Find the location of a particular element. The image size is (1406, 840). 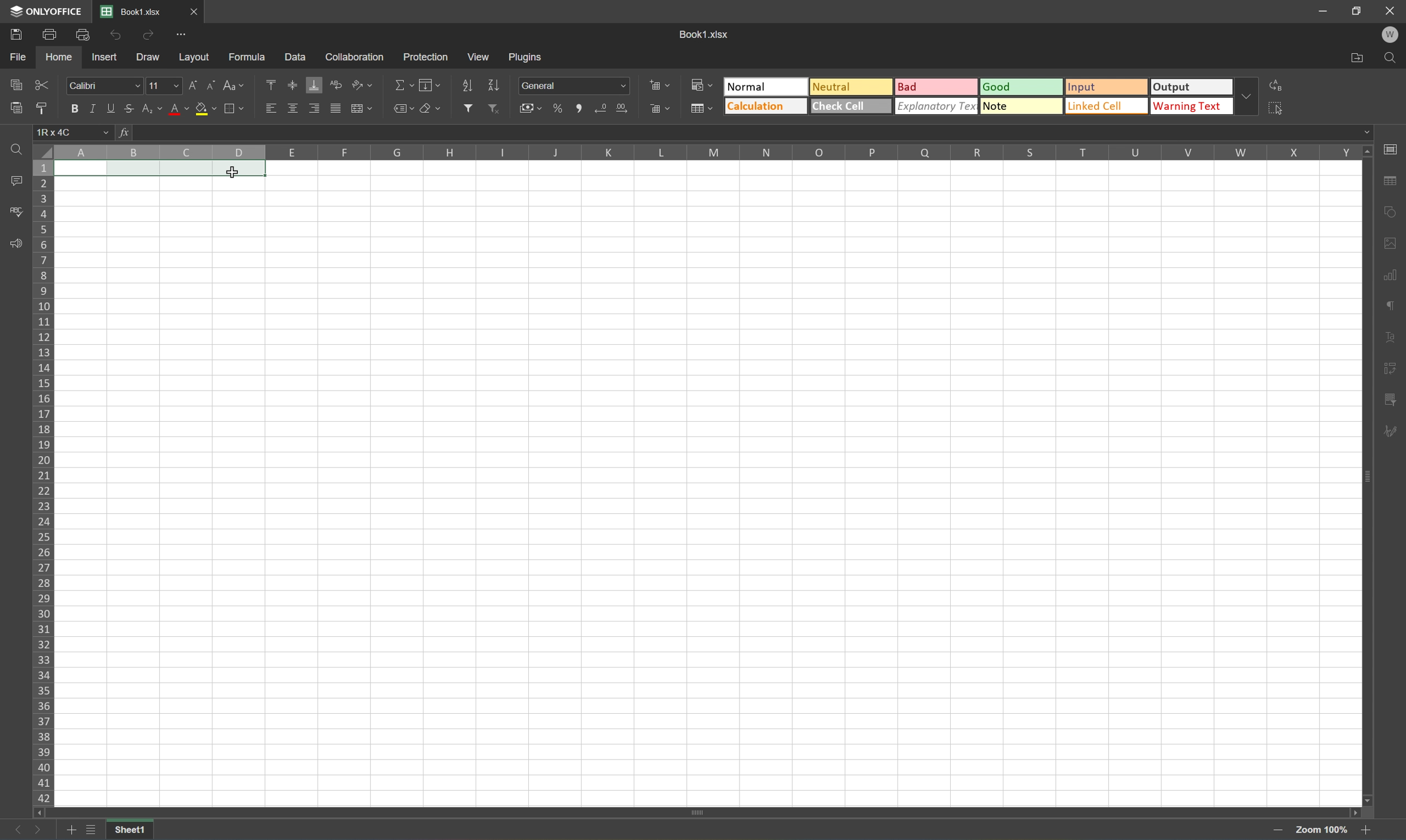

Italic is located at coordinates (97, 109).